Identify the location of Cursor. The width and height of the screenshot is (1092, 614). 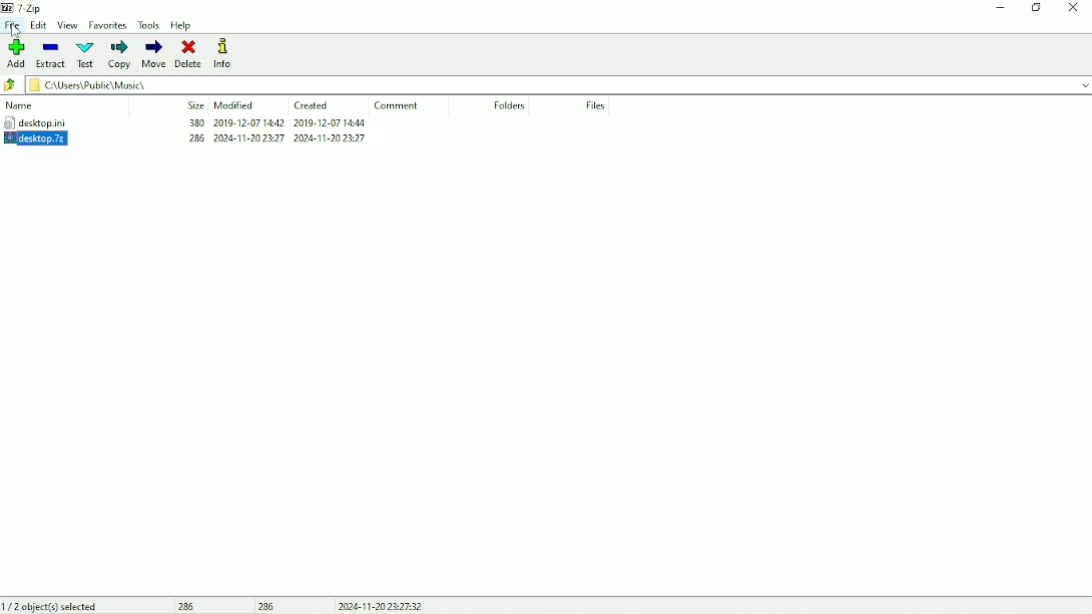
(16, 30).